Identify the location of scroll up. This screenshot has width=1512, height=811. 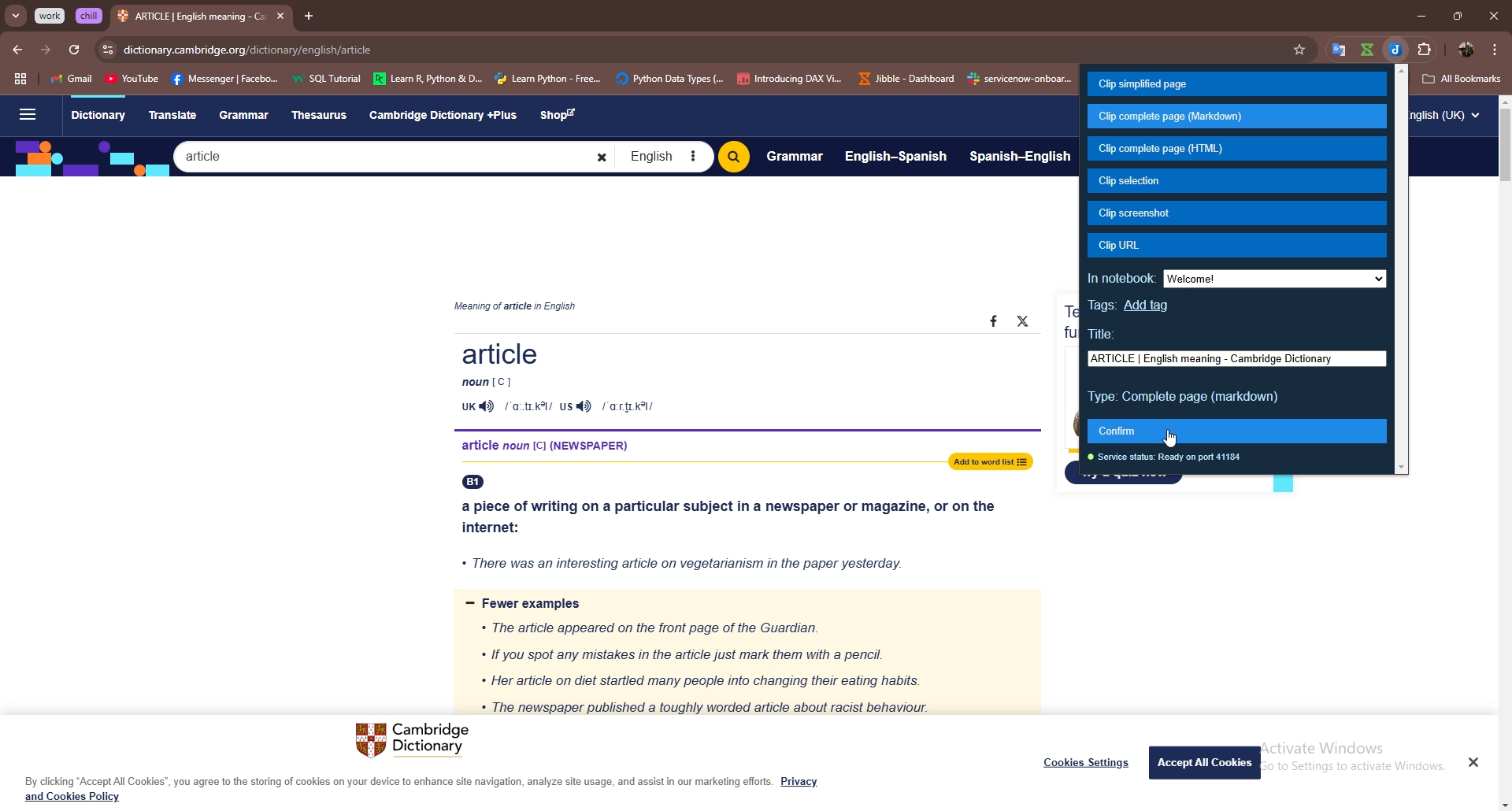
(1503, 101).